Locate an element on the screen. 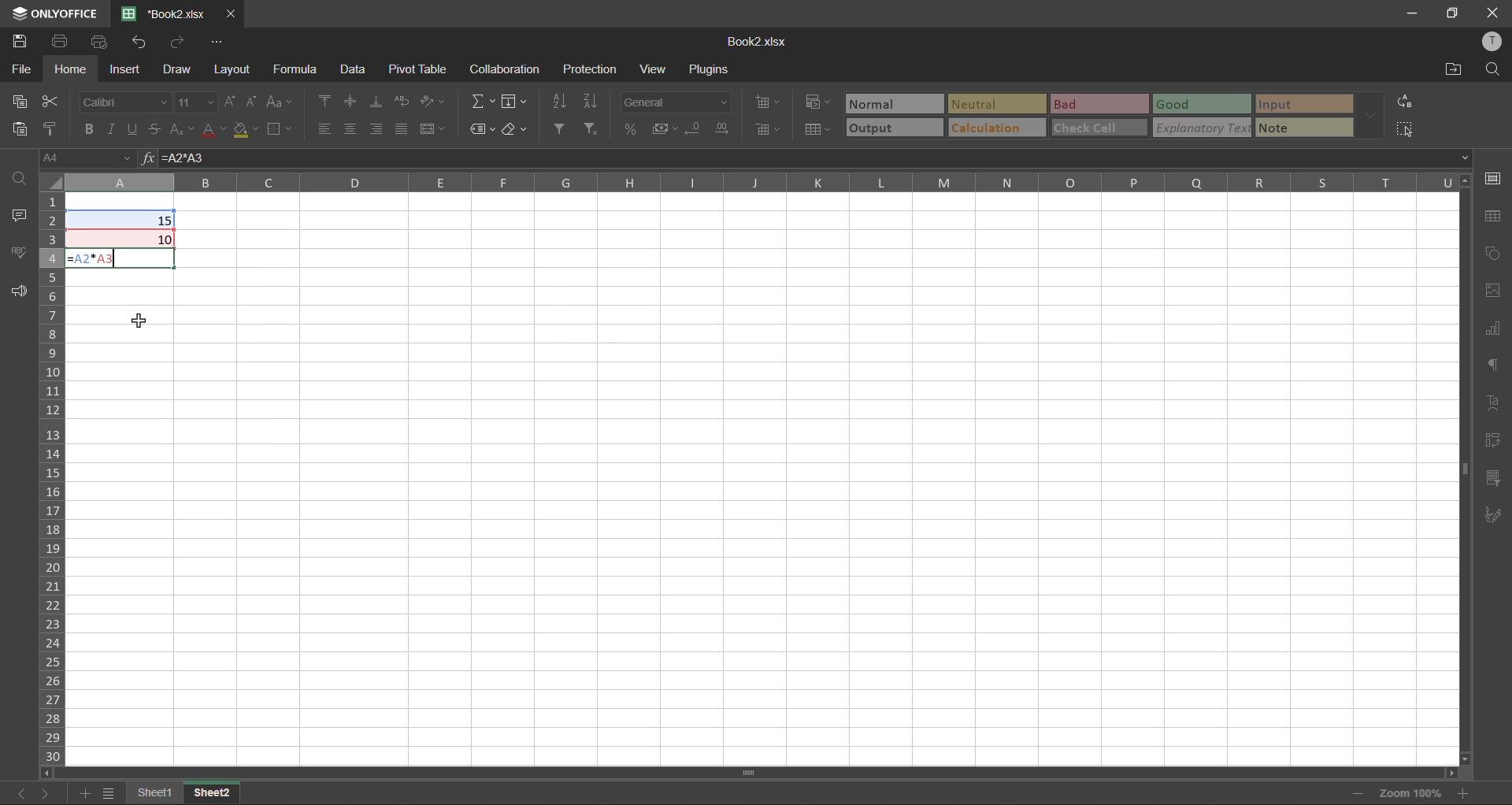 Image resolution: width=1512 pixels, height=805 pixels. Zoom factor is located at coordinates (1410, 792).